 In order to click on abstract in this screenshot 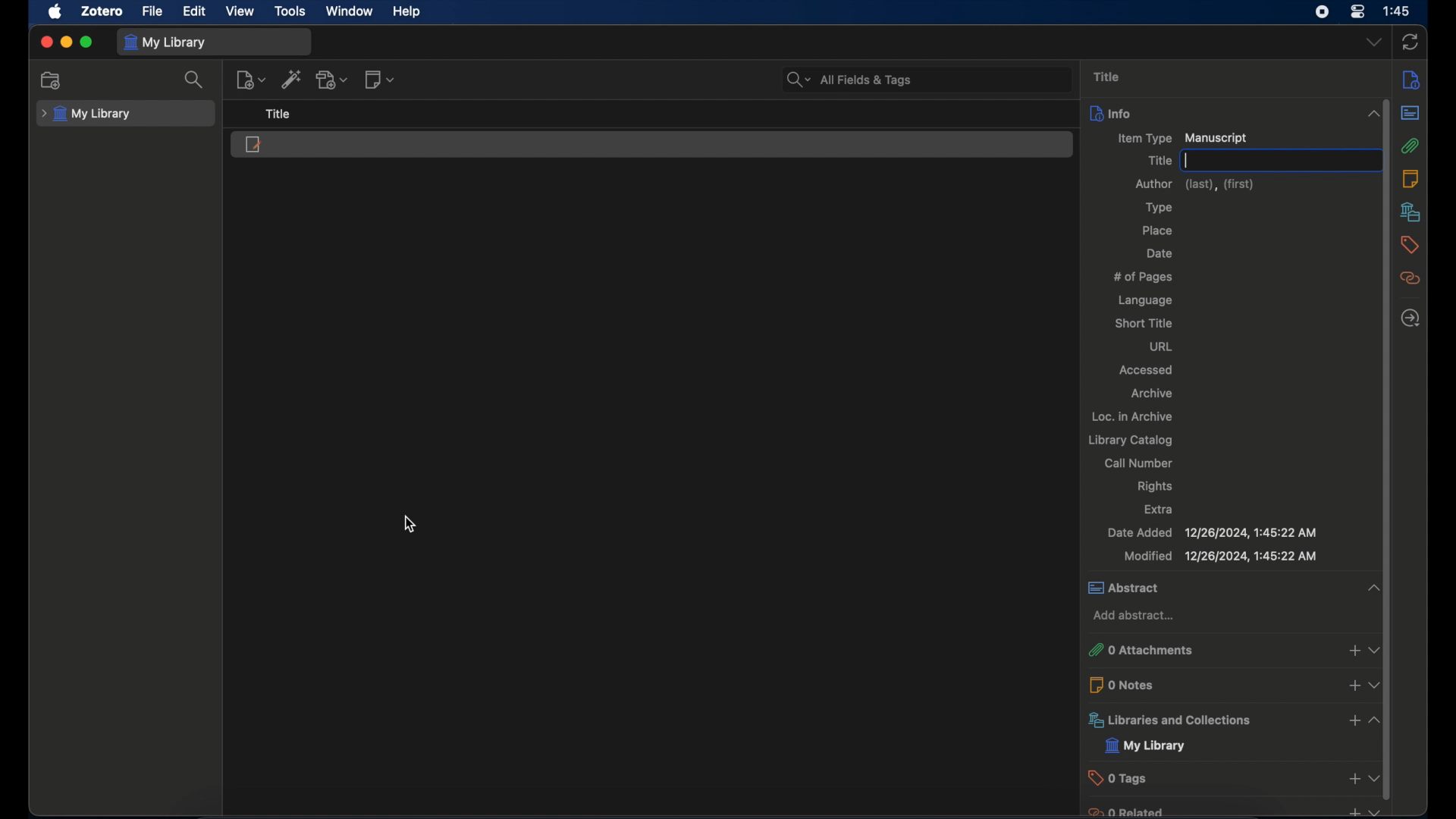, I will do `click(1410, 113)`.